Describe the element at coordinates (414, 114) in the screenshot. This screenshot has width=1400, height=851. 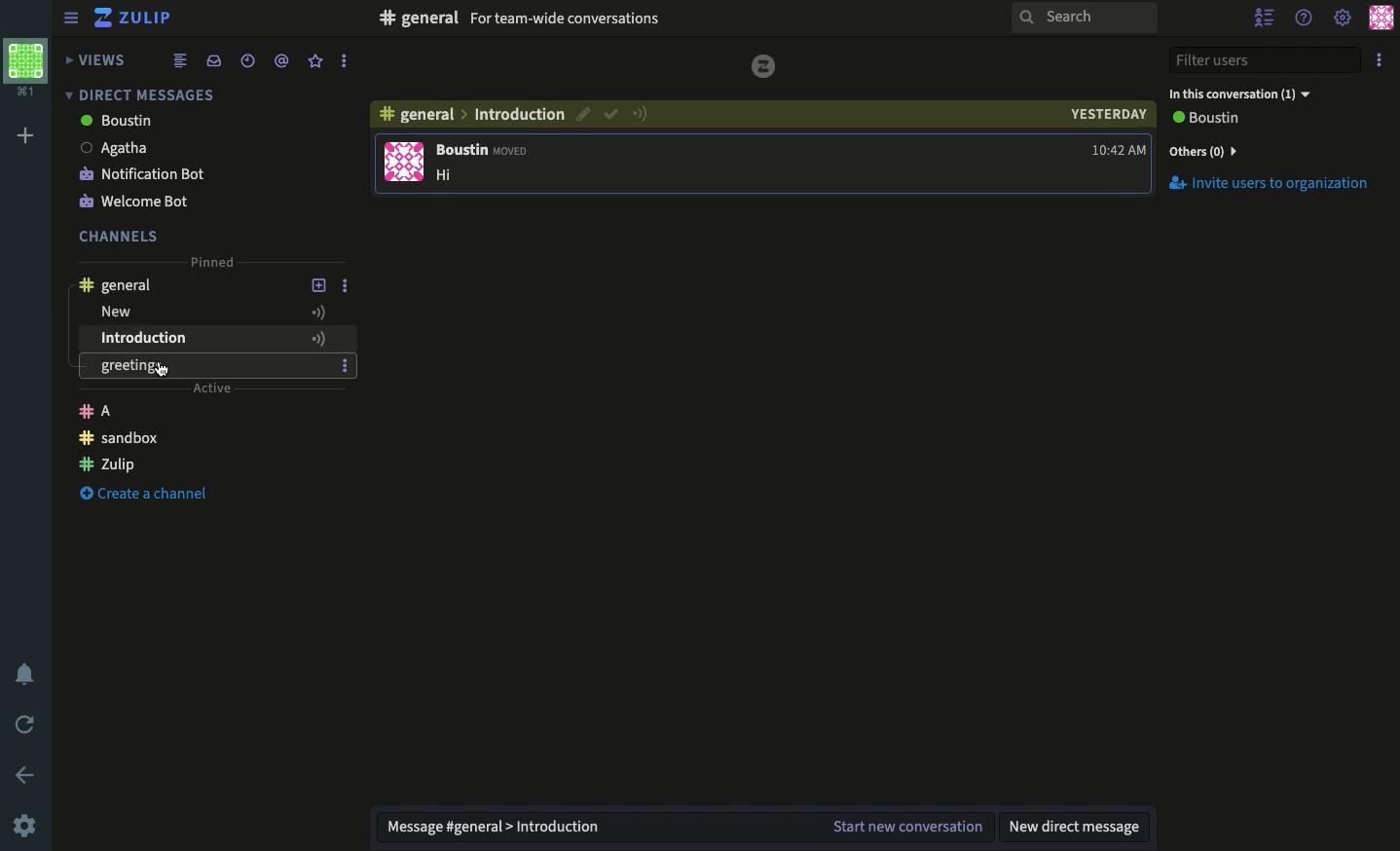
I see `#general` at that location.